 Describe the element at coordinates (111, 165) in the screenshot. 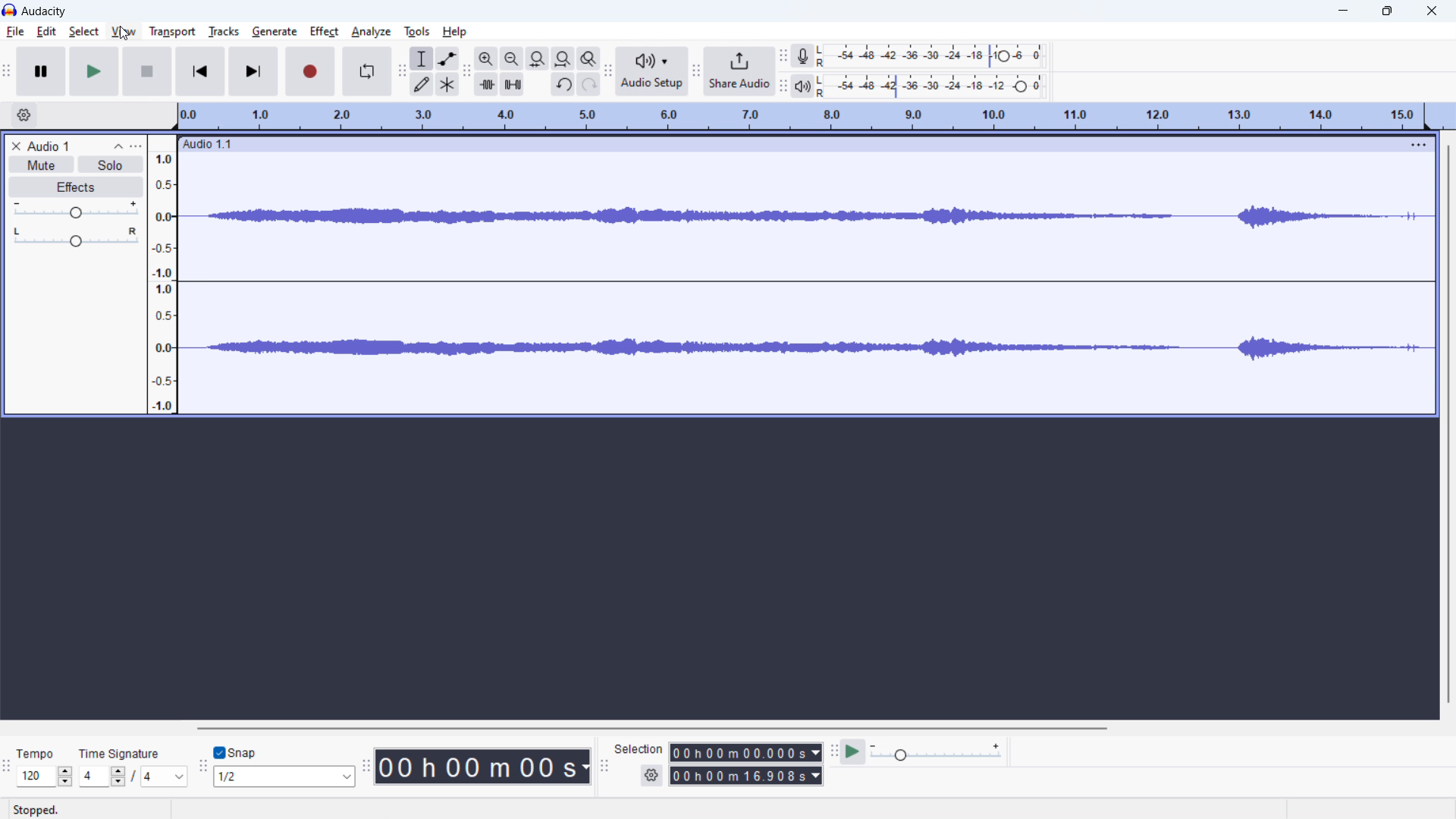

I see `solo` at that location.